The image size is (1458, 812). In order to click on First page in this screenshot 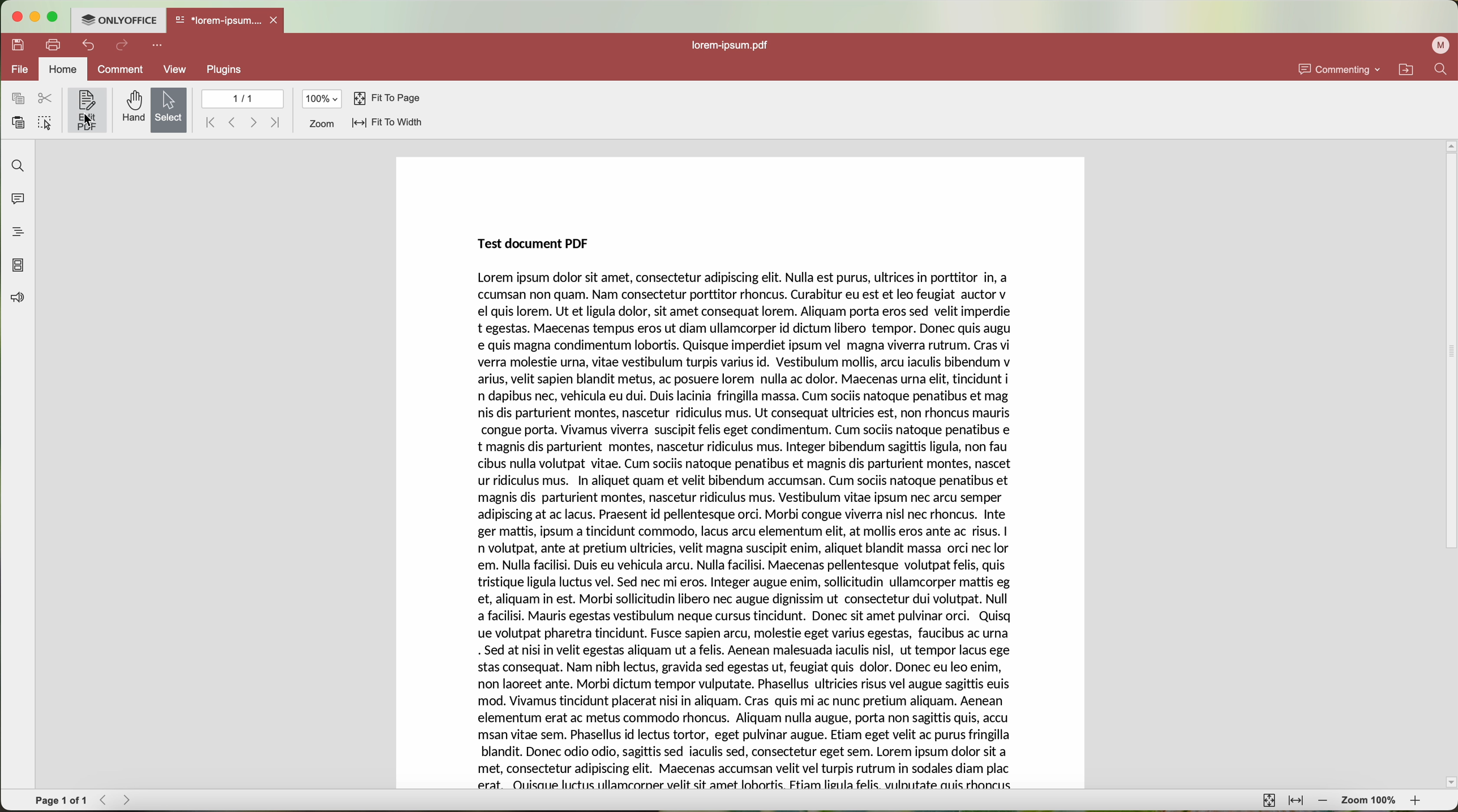, I will do `click(206, 122)`.